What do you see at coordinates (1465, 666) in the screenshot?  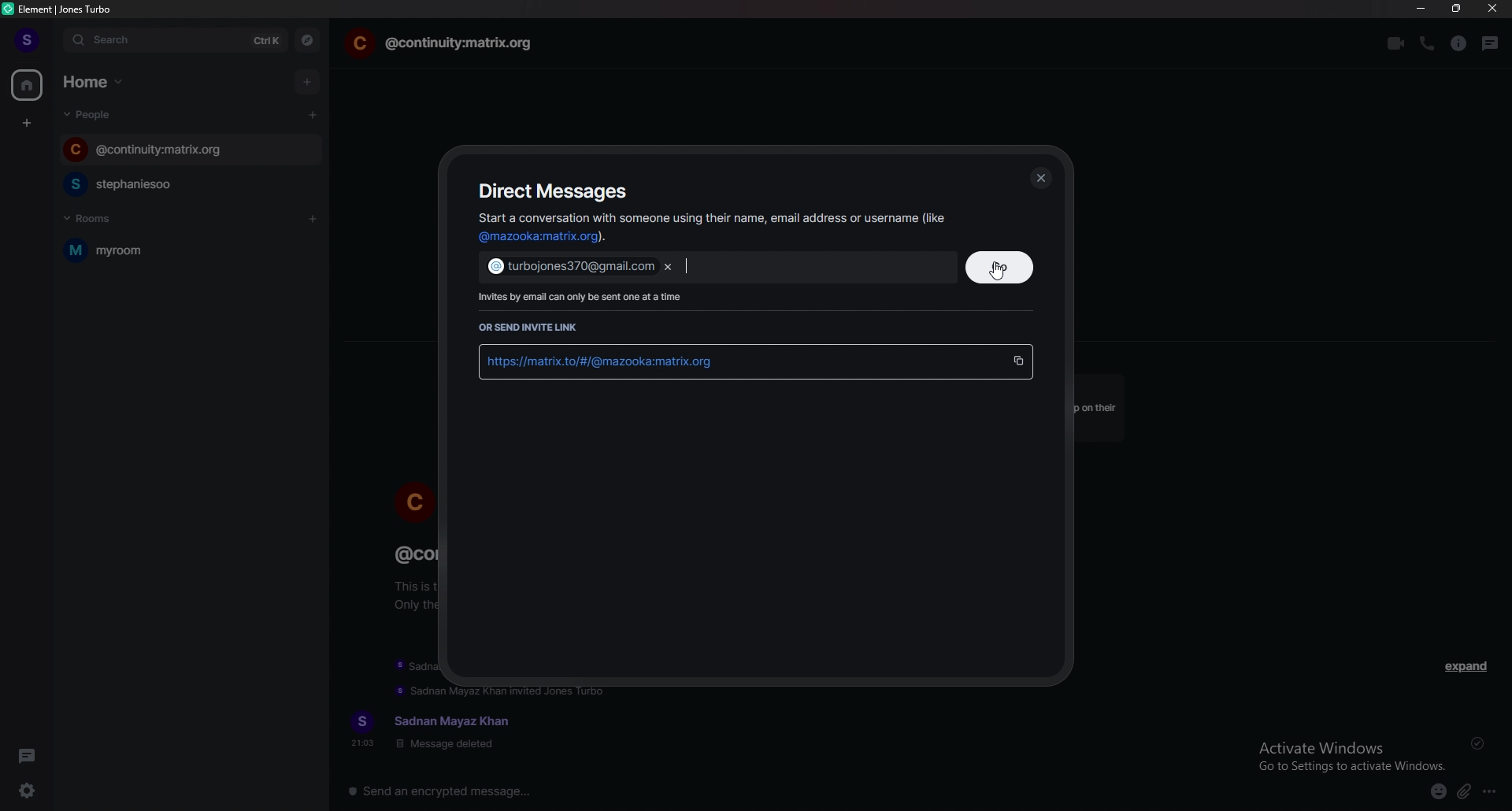 I see `expand` at bounding box center [1465, 666].